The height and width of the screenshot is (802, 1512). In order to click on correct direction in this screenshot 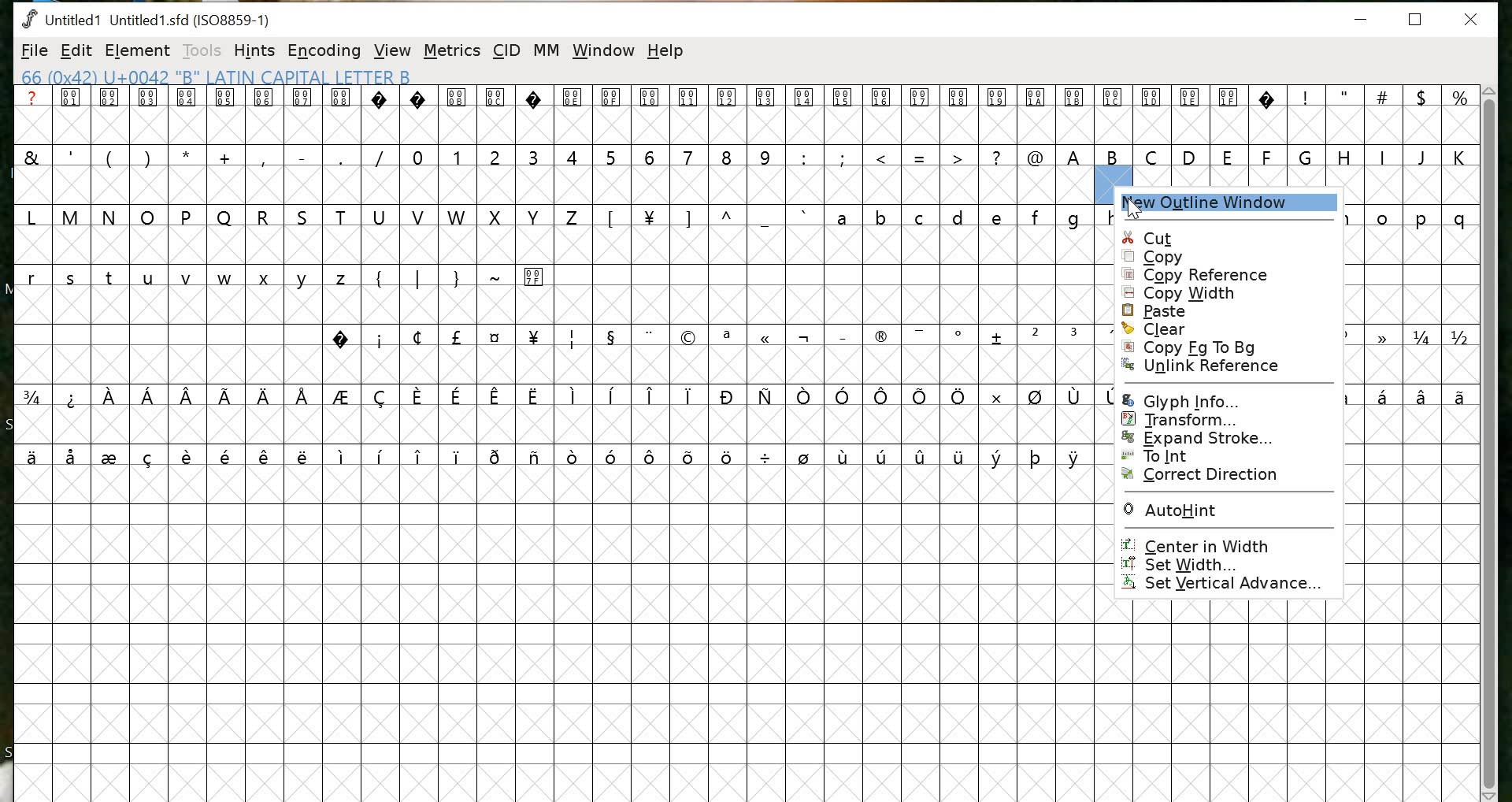, I will do `click(1228, 475)`.